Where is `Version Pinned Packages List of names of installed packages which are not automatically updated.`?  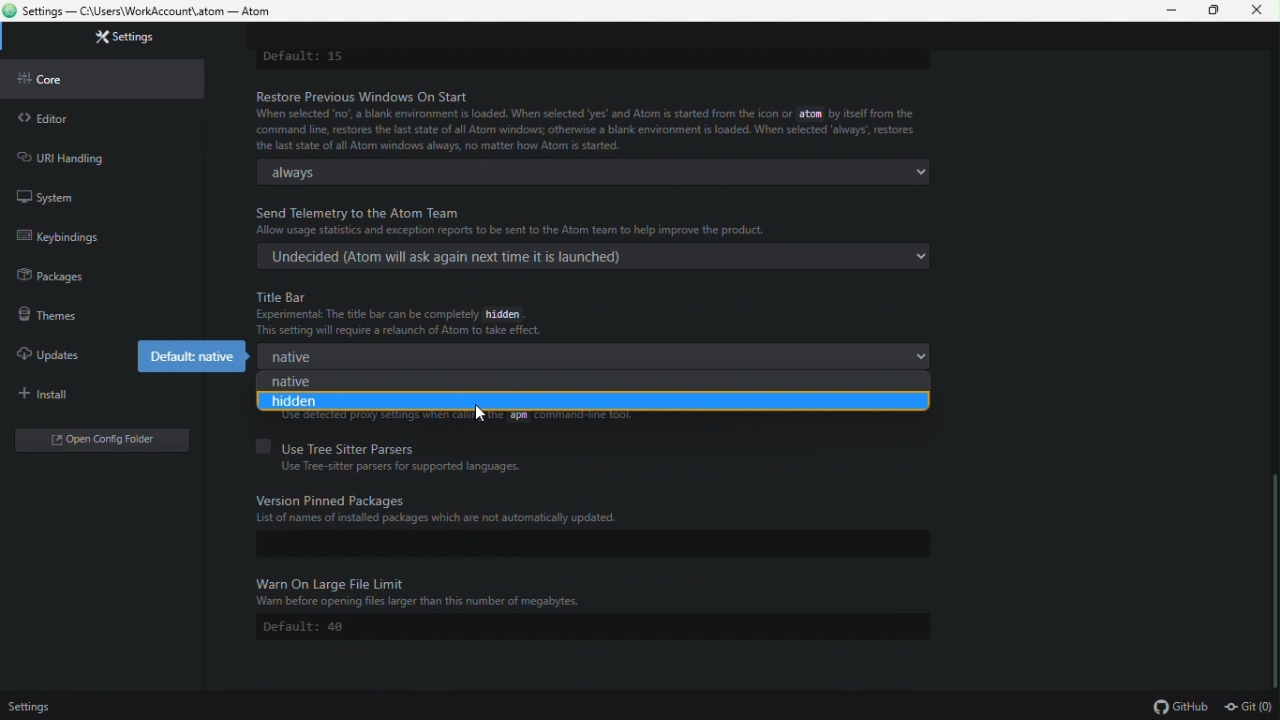 Version Pinned Packages List of names of installed packages which are not automatically updated. is located at coordinates (450, 512).